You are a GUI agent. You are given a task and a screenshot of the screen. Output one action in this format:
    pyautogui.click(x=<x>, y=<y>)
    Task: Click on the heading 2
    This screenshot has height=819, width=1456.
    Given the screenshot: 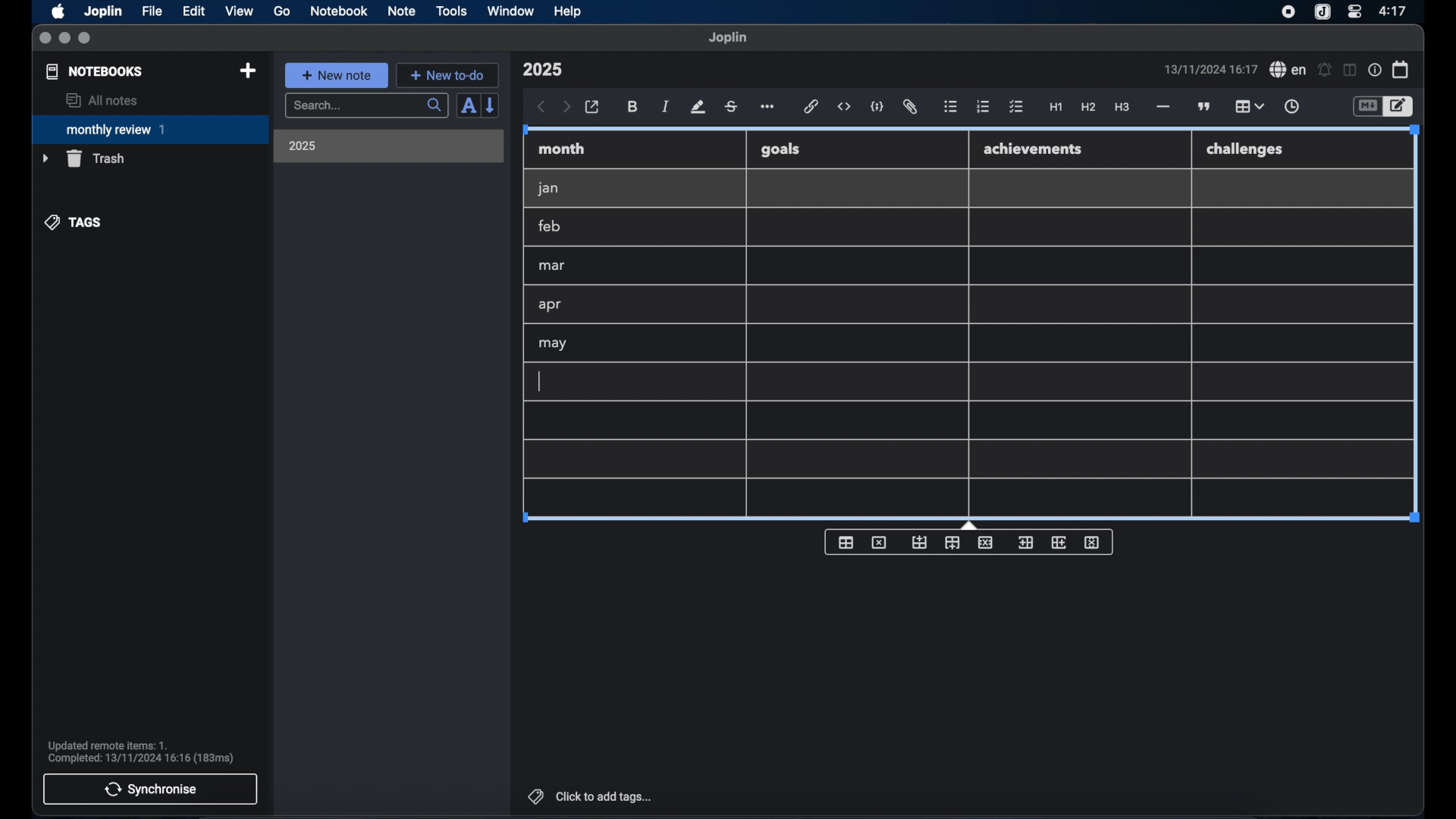 What is the action you would take?
    pyautogui.click(x=1089, y=108)
    